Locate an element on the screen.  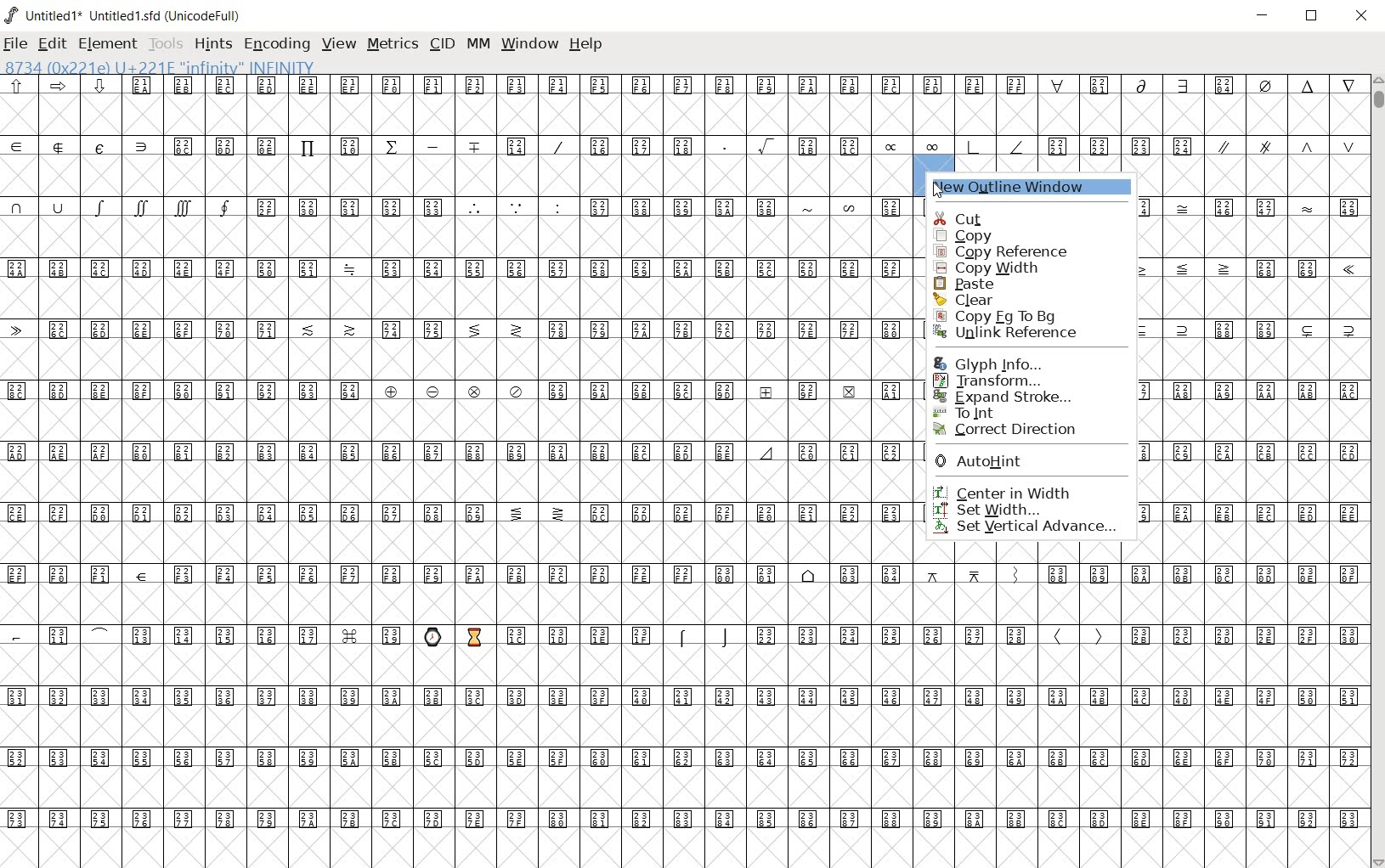
empty glyph slots is located at coordinates (1249, 541).